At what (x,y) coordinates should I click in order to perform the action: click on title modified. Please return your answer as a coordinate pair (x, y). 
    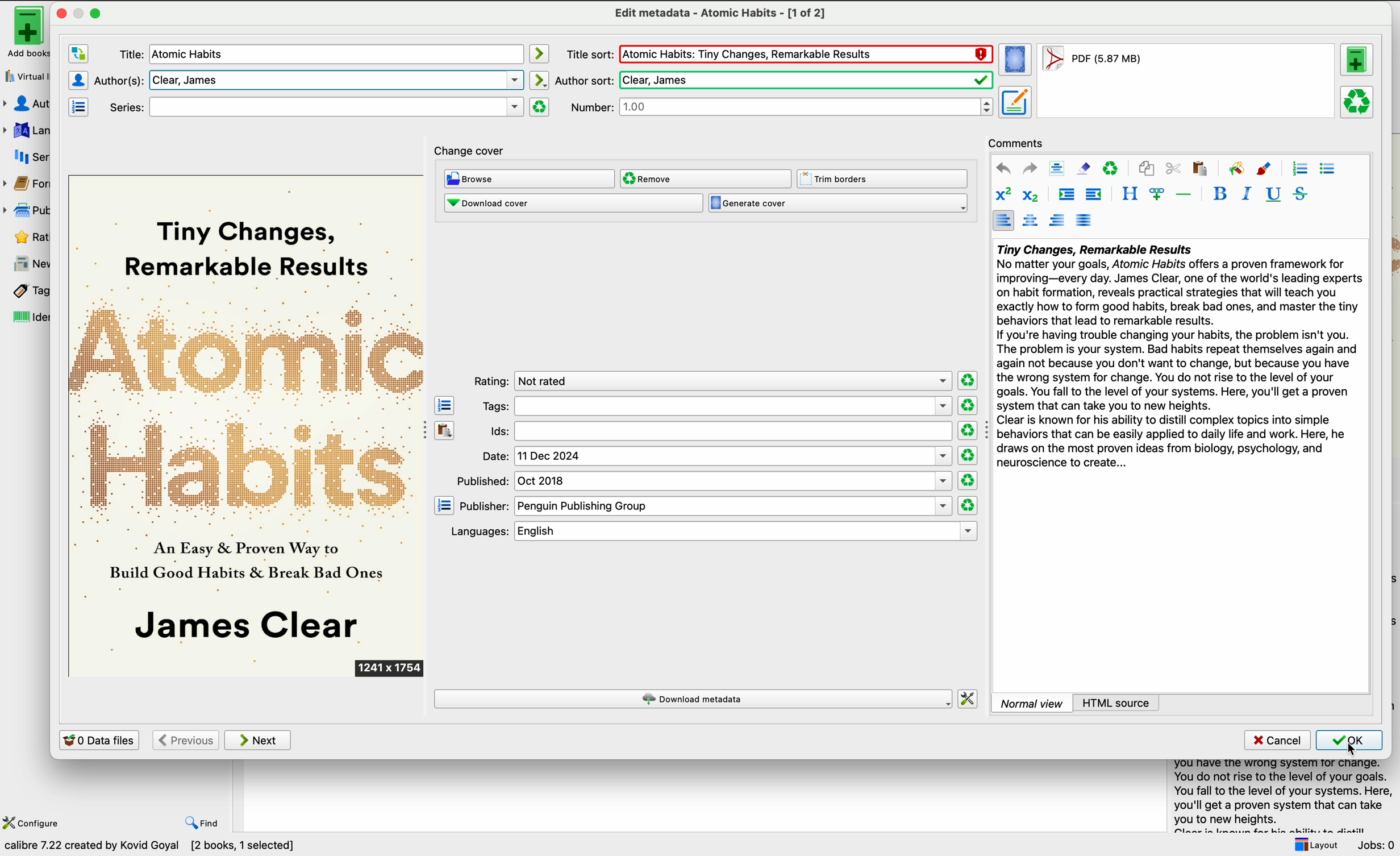
    Looking at the image, I should click on (193, 55).